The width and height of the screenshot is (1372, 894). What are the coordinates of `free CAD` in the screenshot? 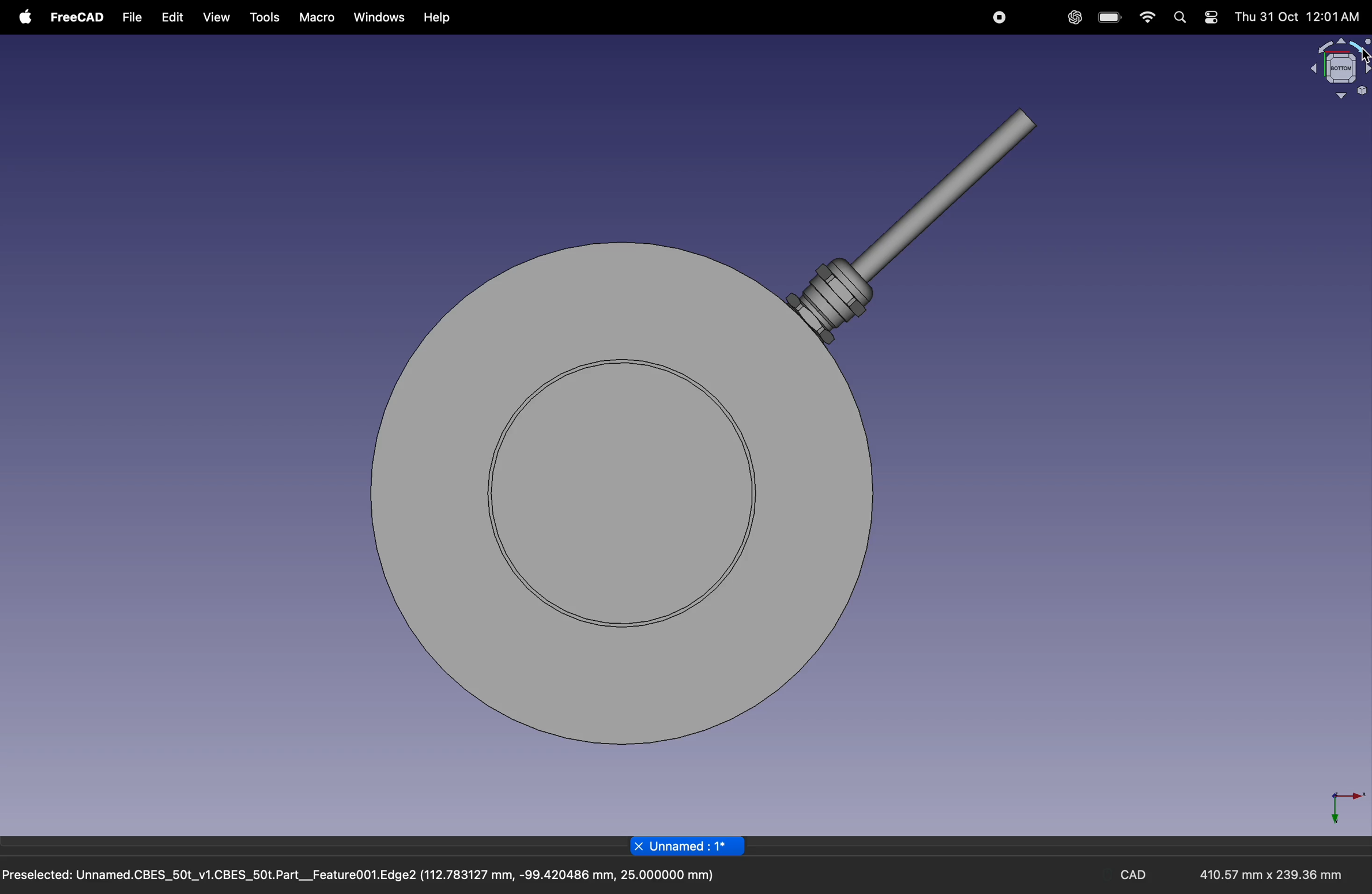 It's located at (77, 16).